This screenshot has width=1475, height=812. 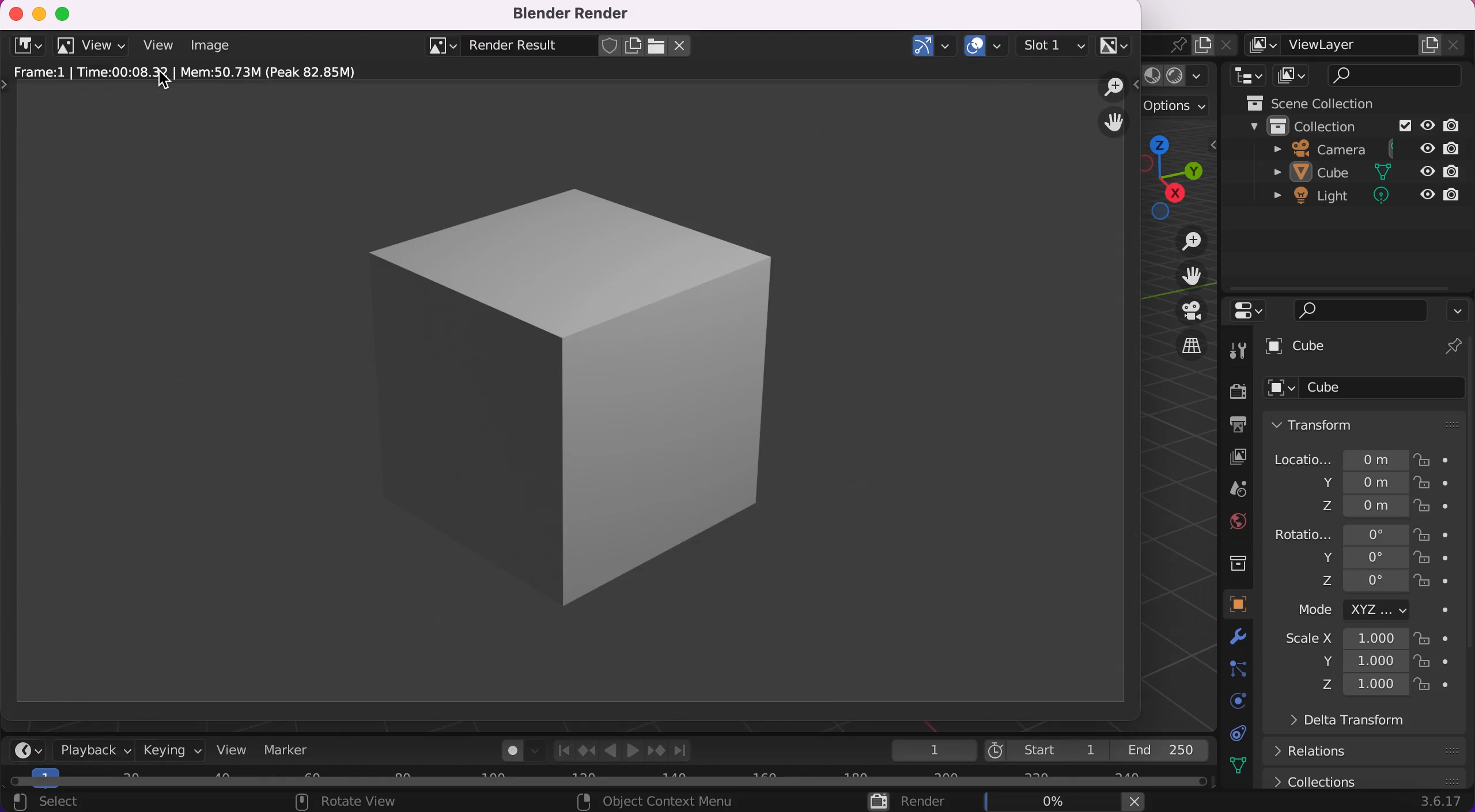 I want to click on collections, so click(x=1368, y=779).